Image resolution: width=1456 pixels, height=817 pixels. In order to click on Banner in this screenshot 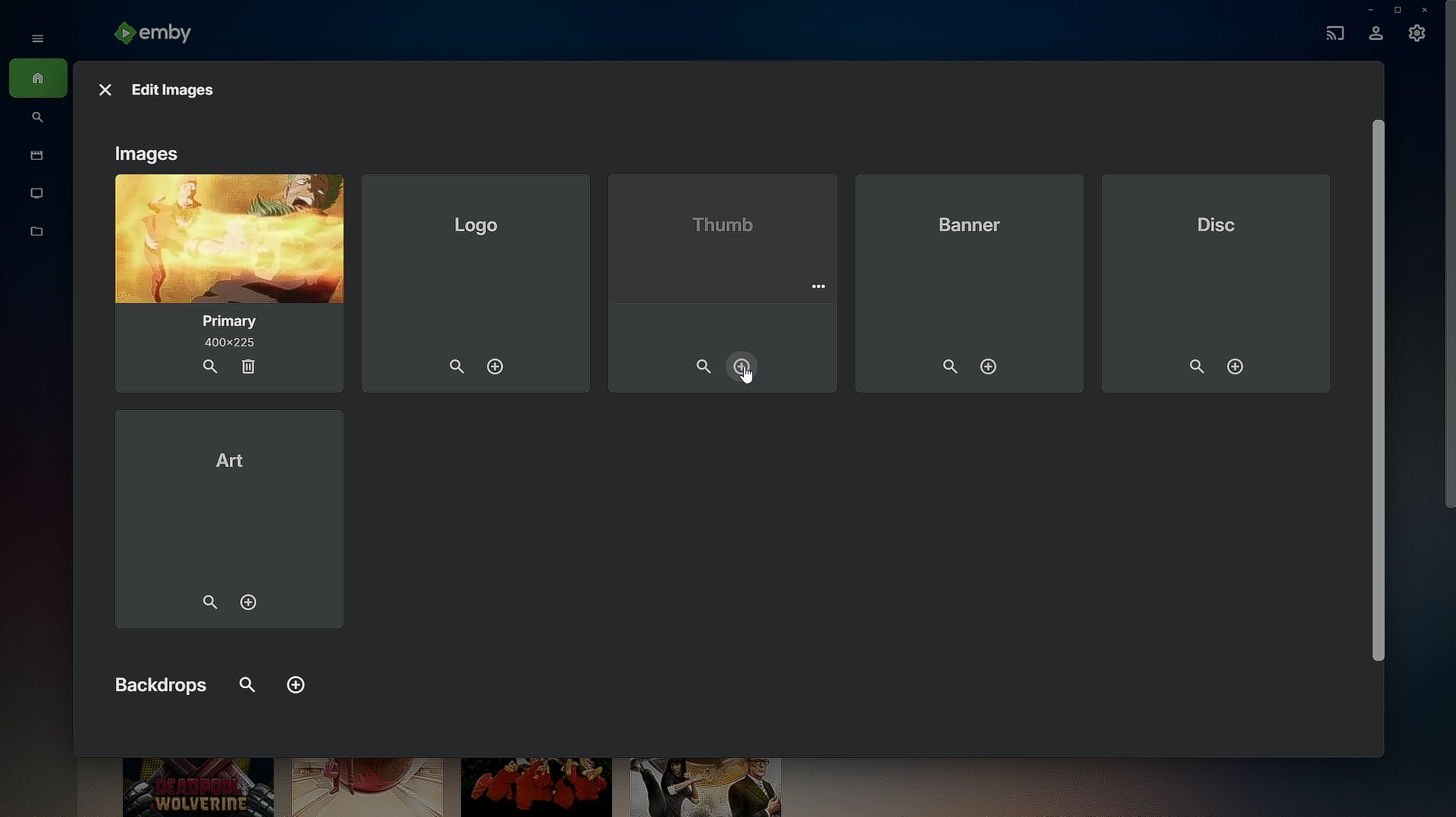, I will do `click(971, 283)`.